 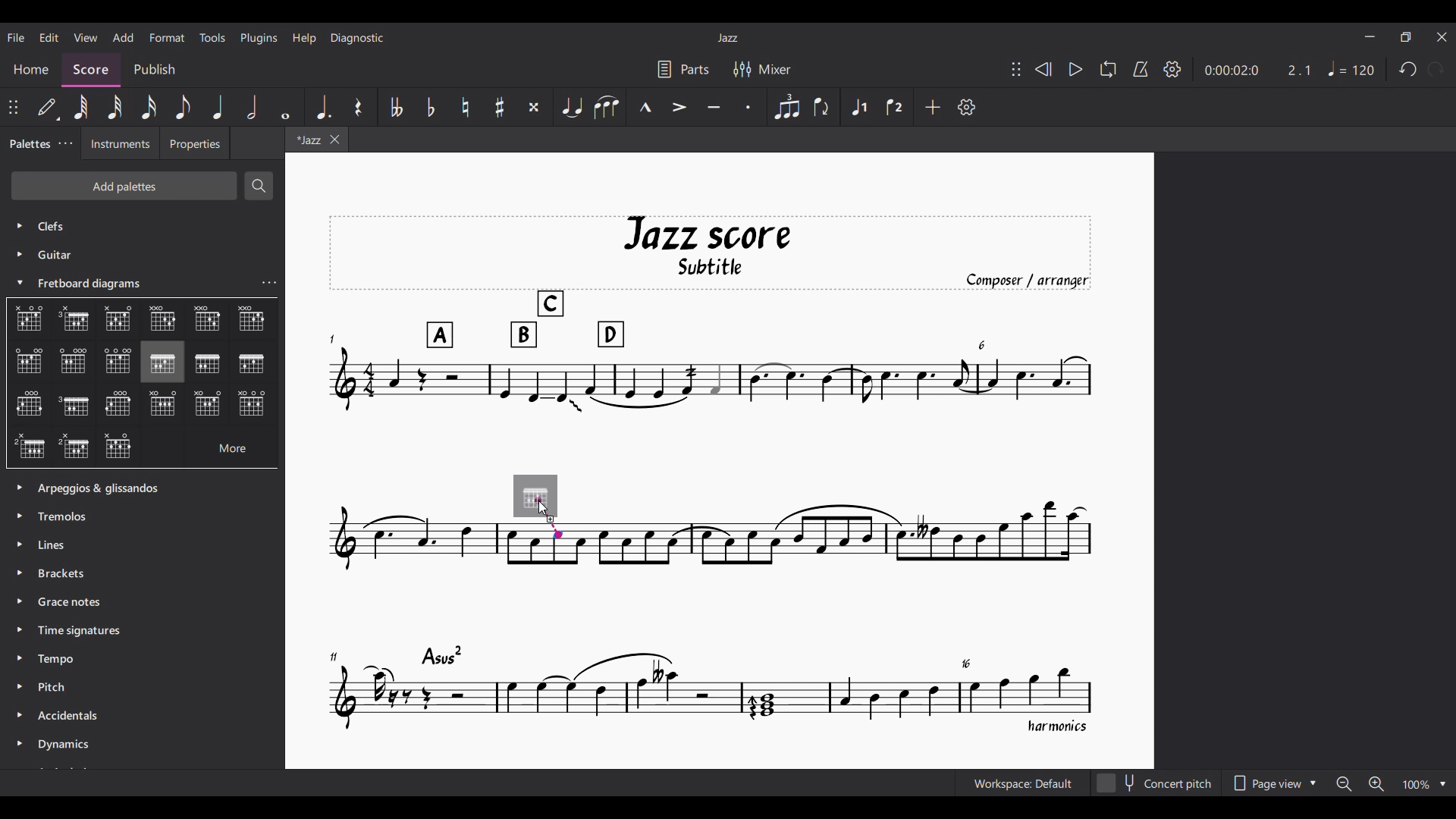 What do you see at coordinates (251, 406) in the screenshot?
I see `Chart 16` at bounding box center [251, 406].